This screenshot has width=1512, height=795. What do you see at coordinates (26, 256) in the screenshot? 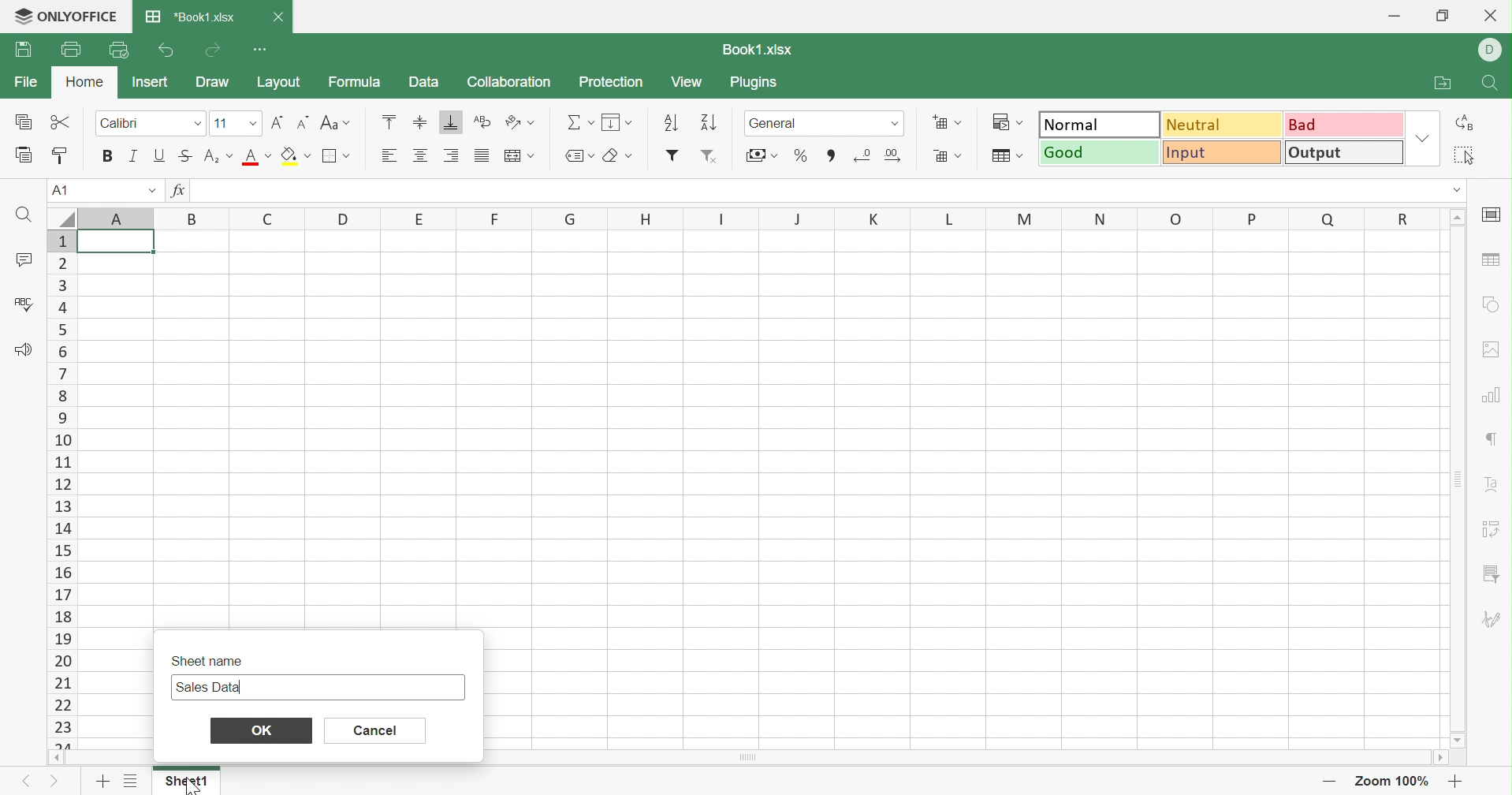
I see `Comments` at bounding box center [26, 256].